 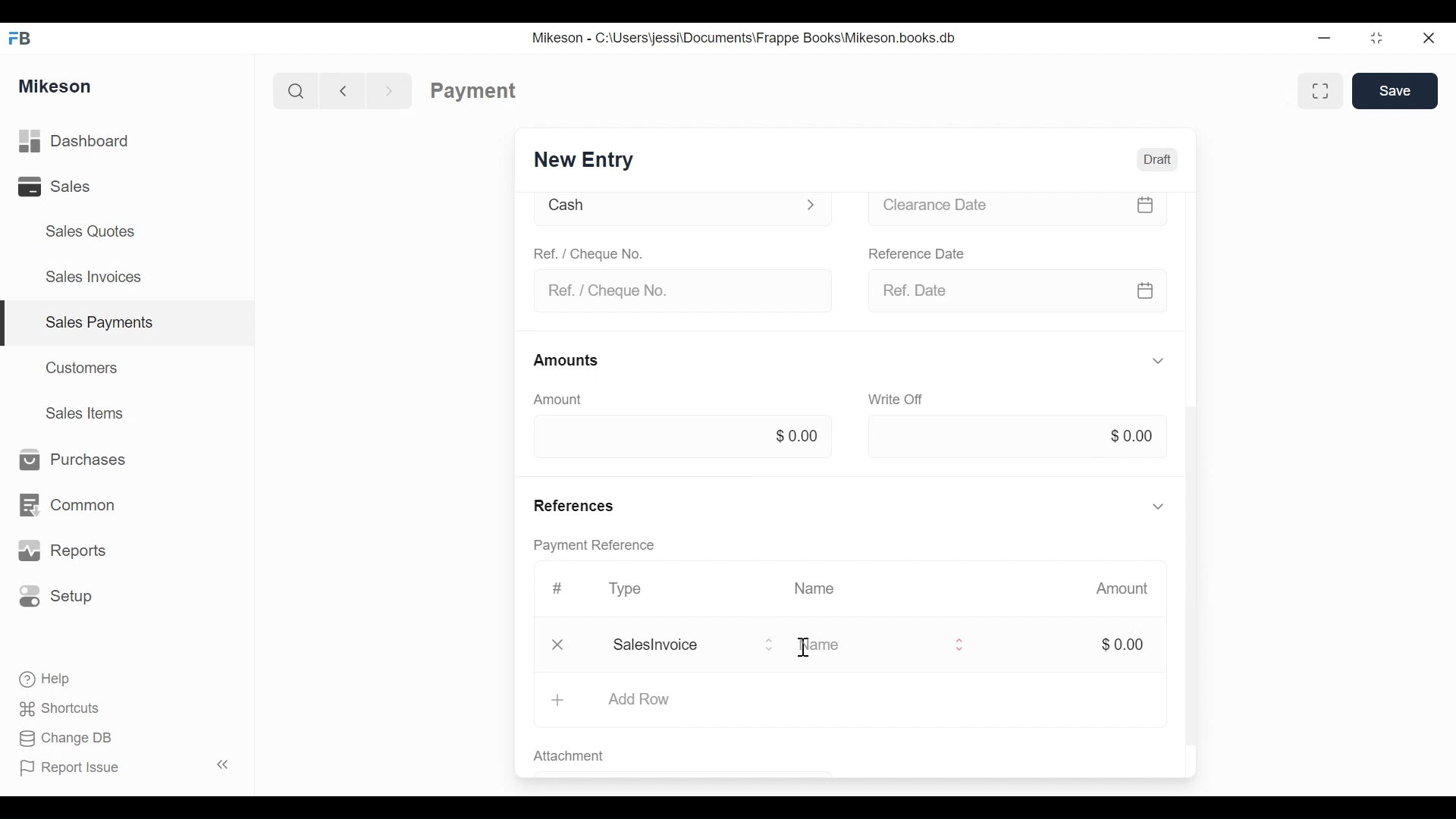 What do you see at coordinates (1374, 40) in the screenshot?
I see `Maximize` at bounding box center [1374, 40].